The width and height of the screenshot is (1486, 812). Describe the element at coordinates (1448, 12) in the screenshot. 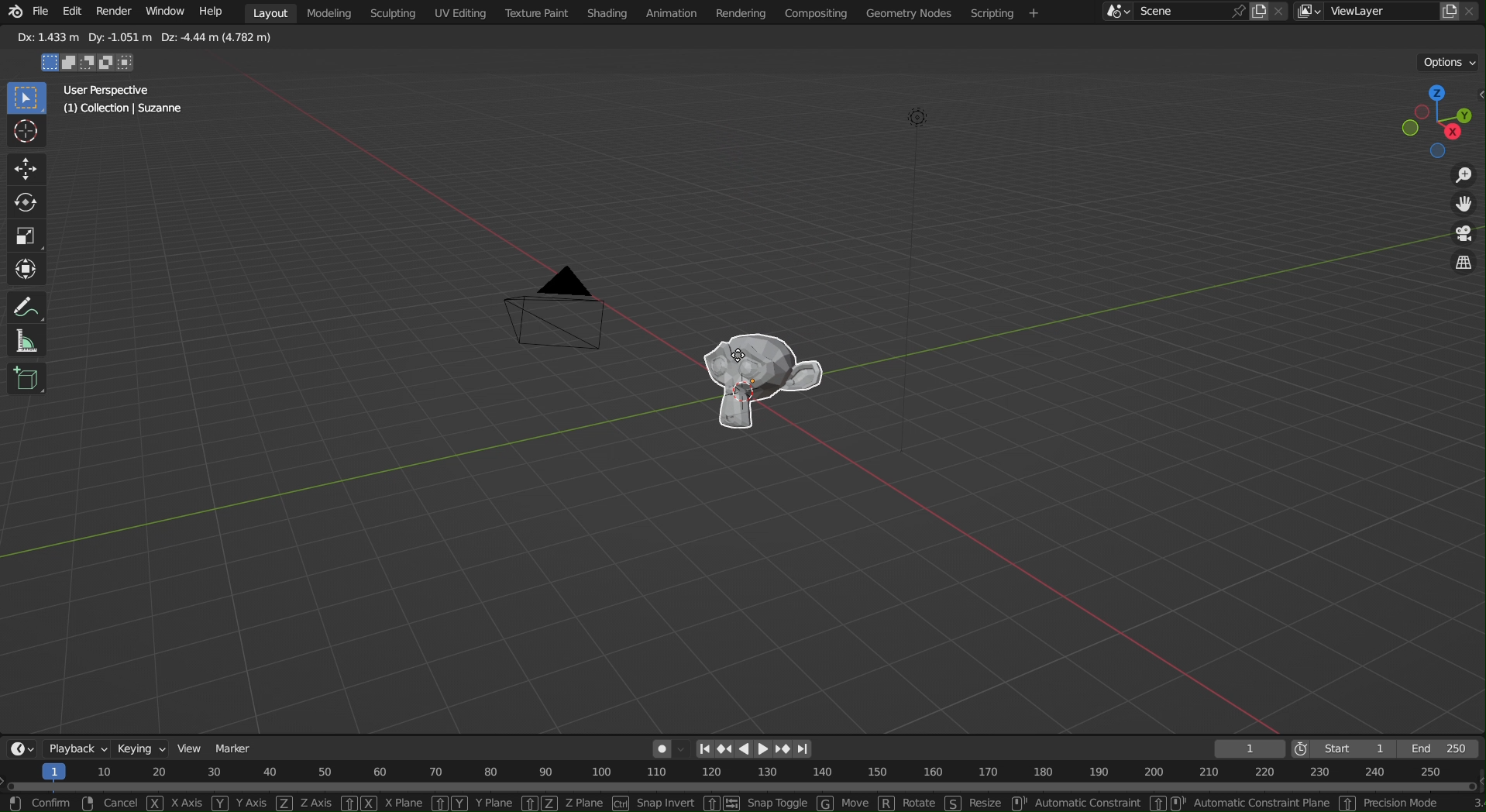

I see `files` at that location.